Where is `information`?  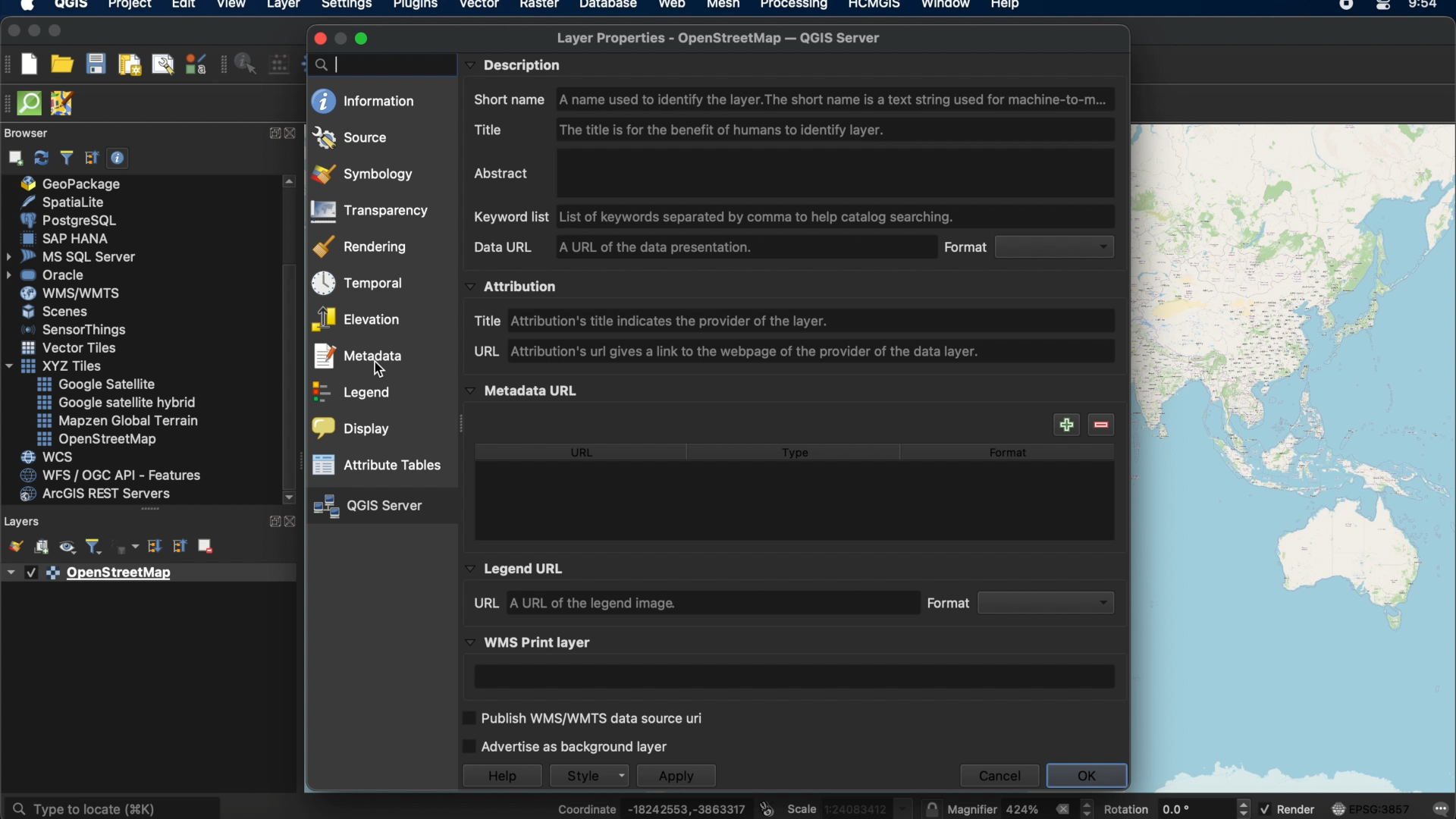
information is located at coordinates (363, 101).